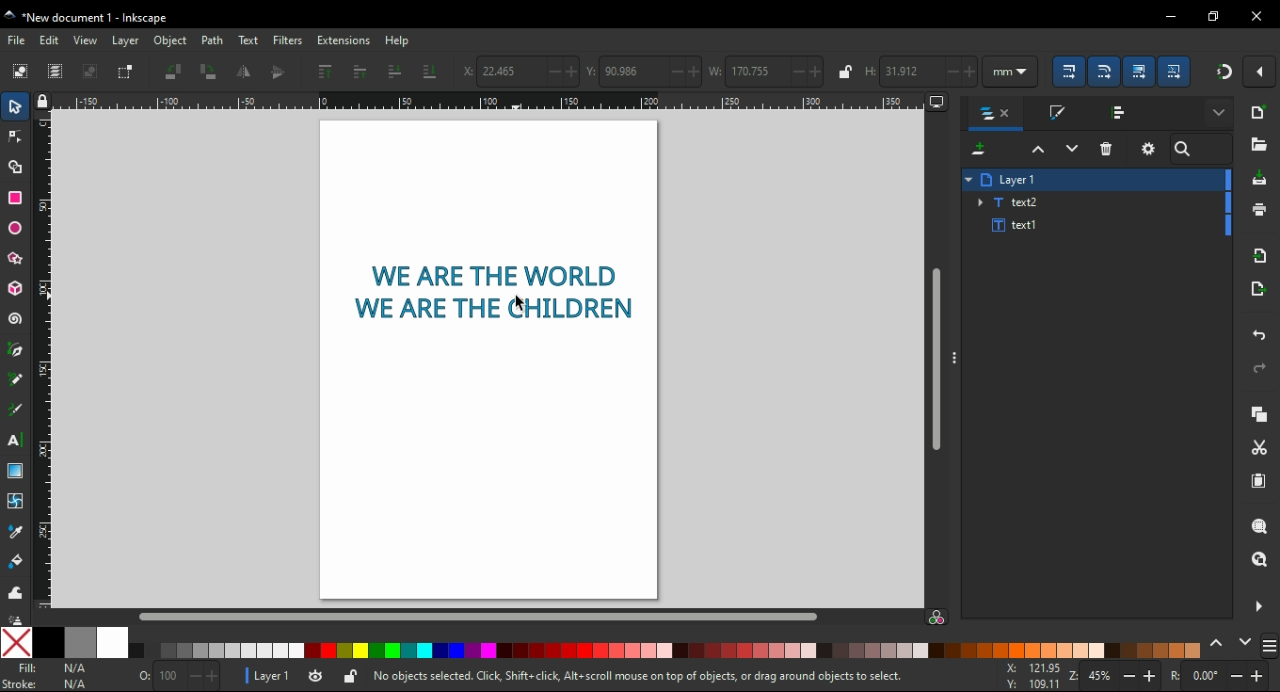 Image resolution: width=1280 pixels, height=692 pixels. I want to click on import, so click(1259, 257).